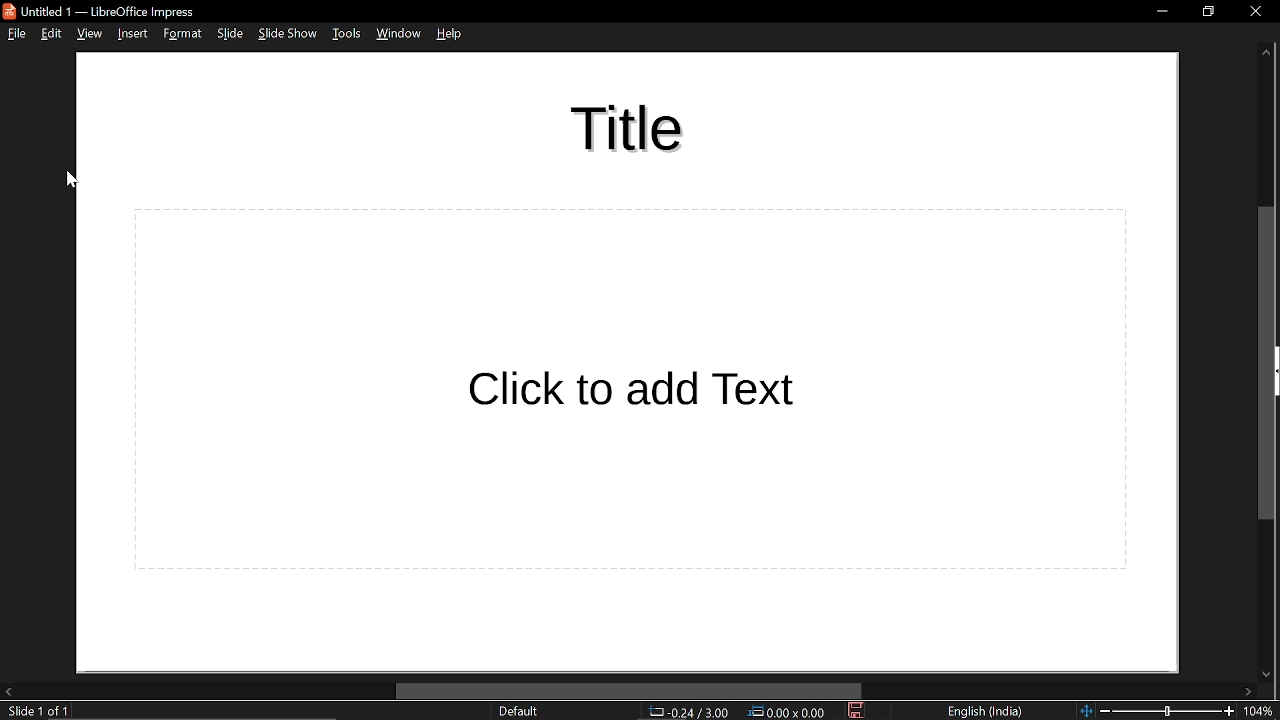 This screenshot has width=1280, height=720. What do you see at coordinates (1255, 12) in the screenshot?
I see `close` at bounding box center [1255, 12].